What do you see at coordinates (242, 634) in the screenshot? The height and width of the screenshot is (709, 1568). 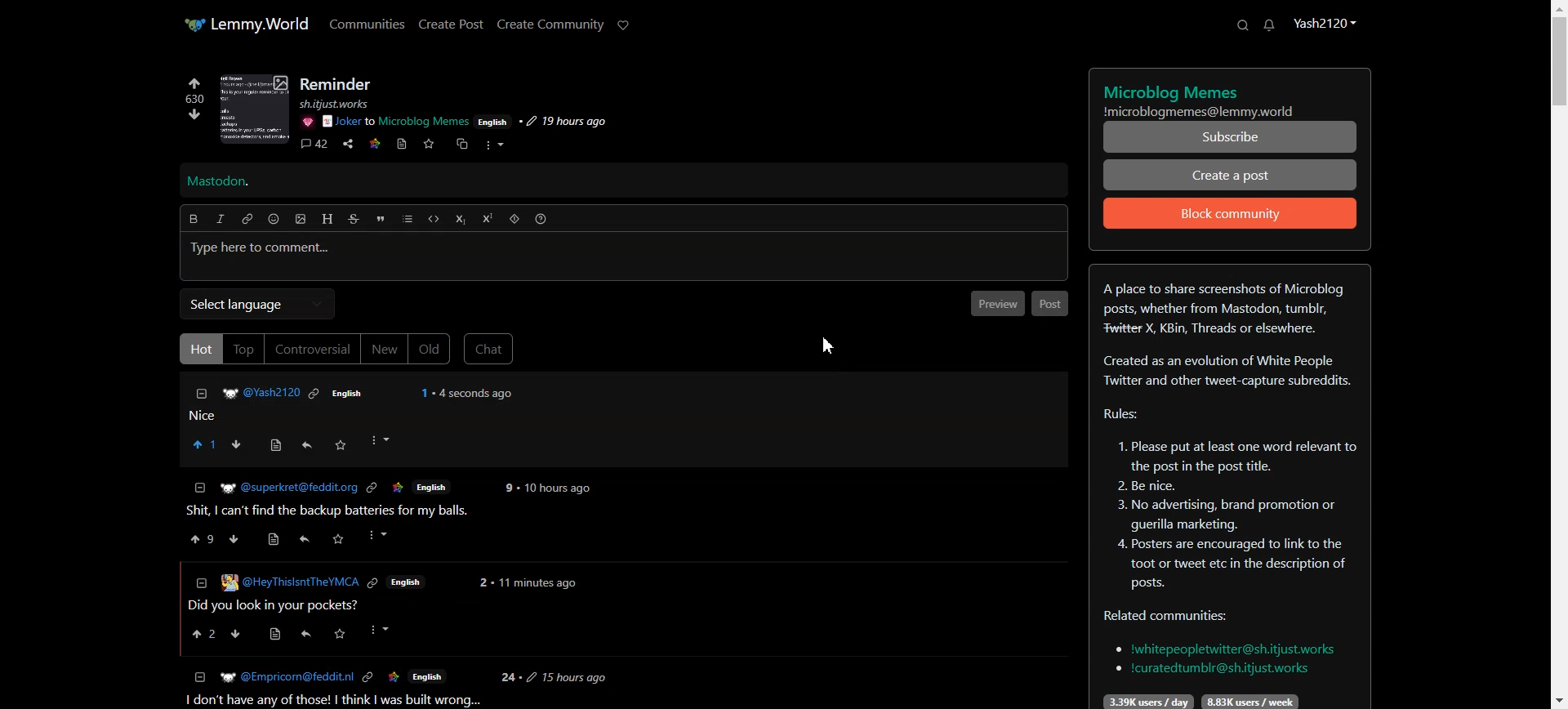 I see `` at bounding box center [242, 634].